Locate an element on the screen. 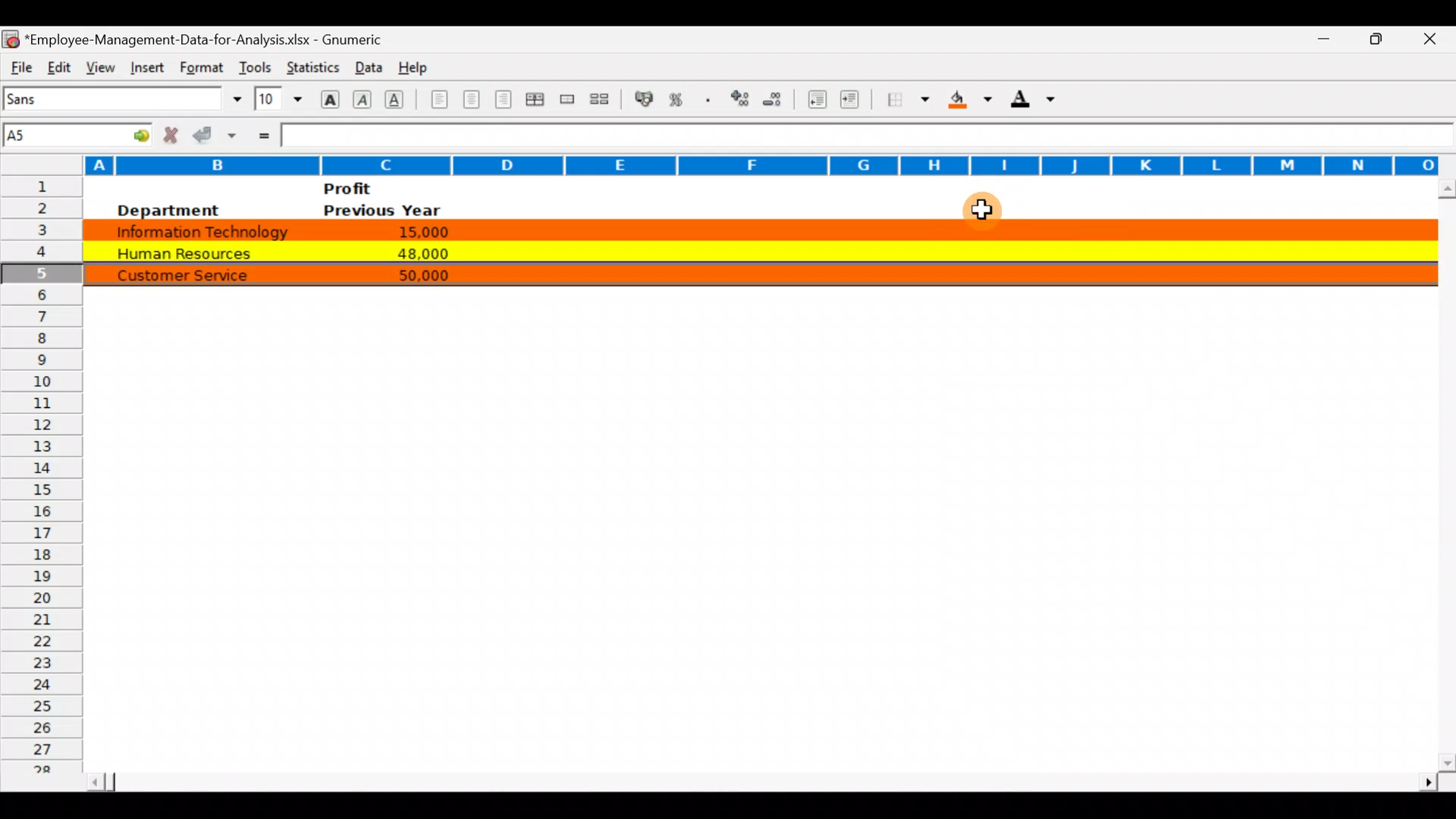 This screenshot has height=819, width=1456. Edit is located at coordinates (58, 65).